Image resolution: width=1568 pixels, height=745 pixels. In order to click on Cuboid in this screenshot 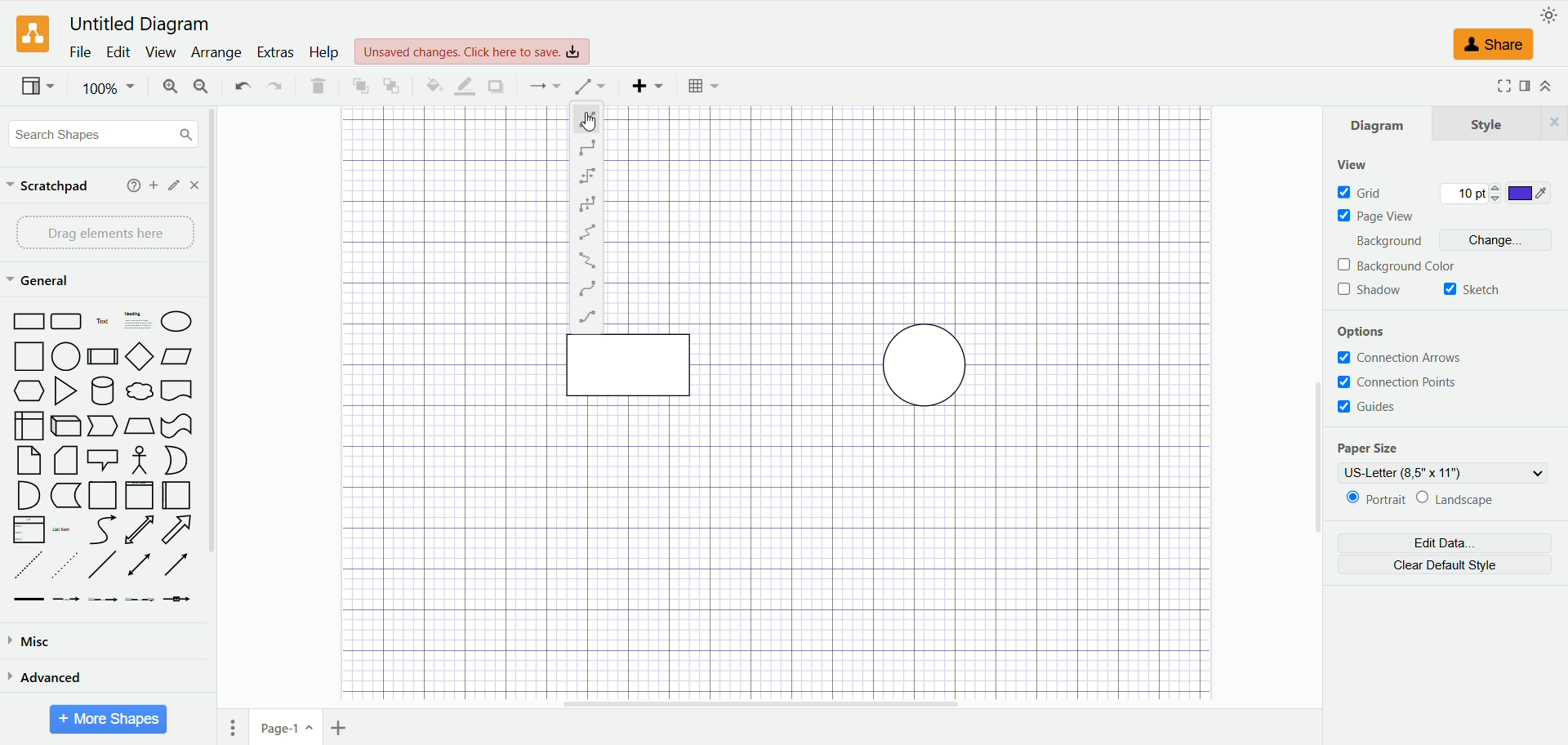, I will do `click(68, 426)`.